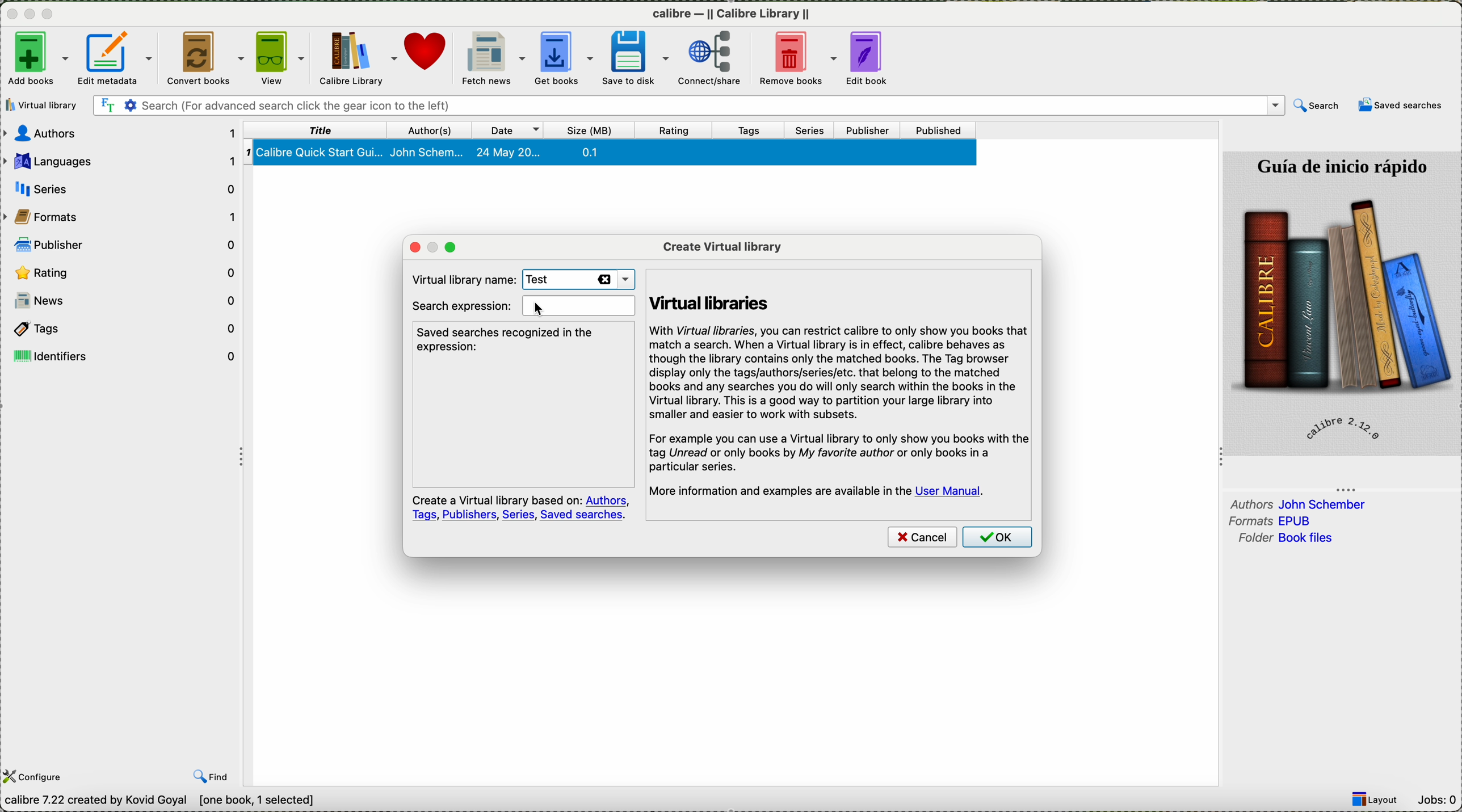 The height and width of the screenshot is (812, 1462). Describe the element at coordinates (117, 58) in the screenshot. I see `edit metadata` at that location.